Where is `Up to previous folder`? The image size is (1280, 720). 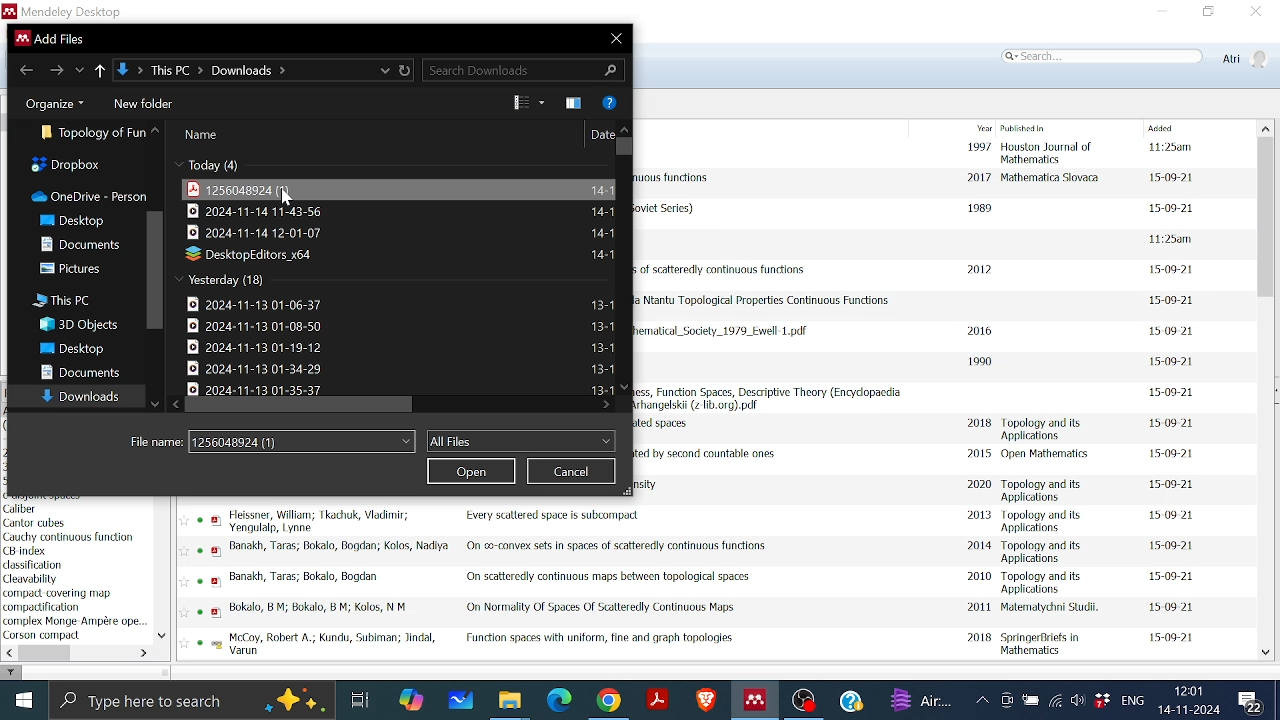
Up to previous folder is located at coordinates (101, 69).